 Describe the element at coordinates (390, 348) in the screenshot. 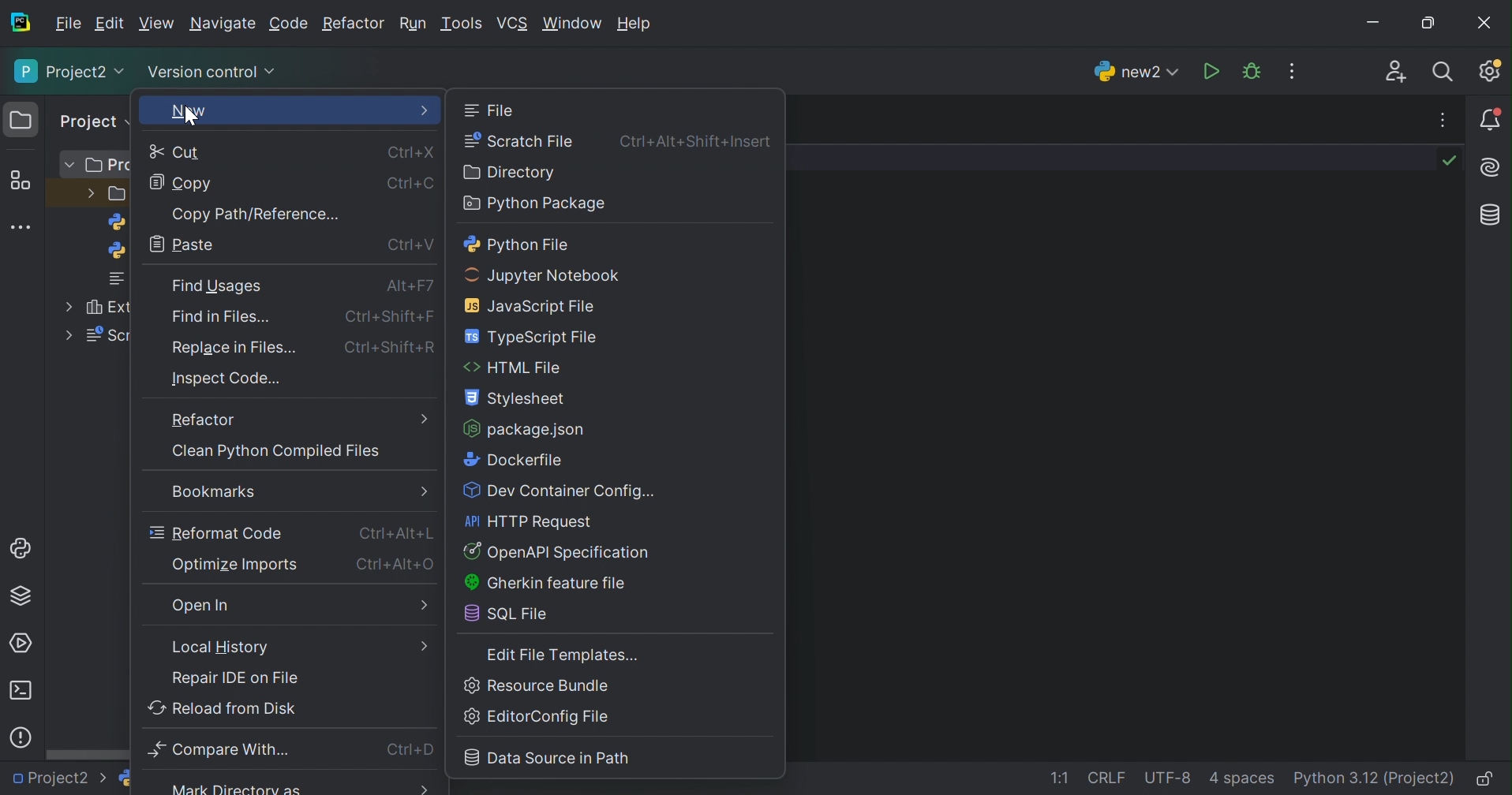

I see `Ctrl+Shift+R` at that location.